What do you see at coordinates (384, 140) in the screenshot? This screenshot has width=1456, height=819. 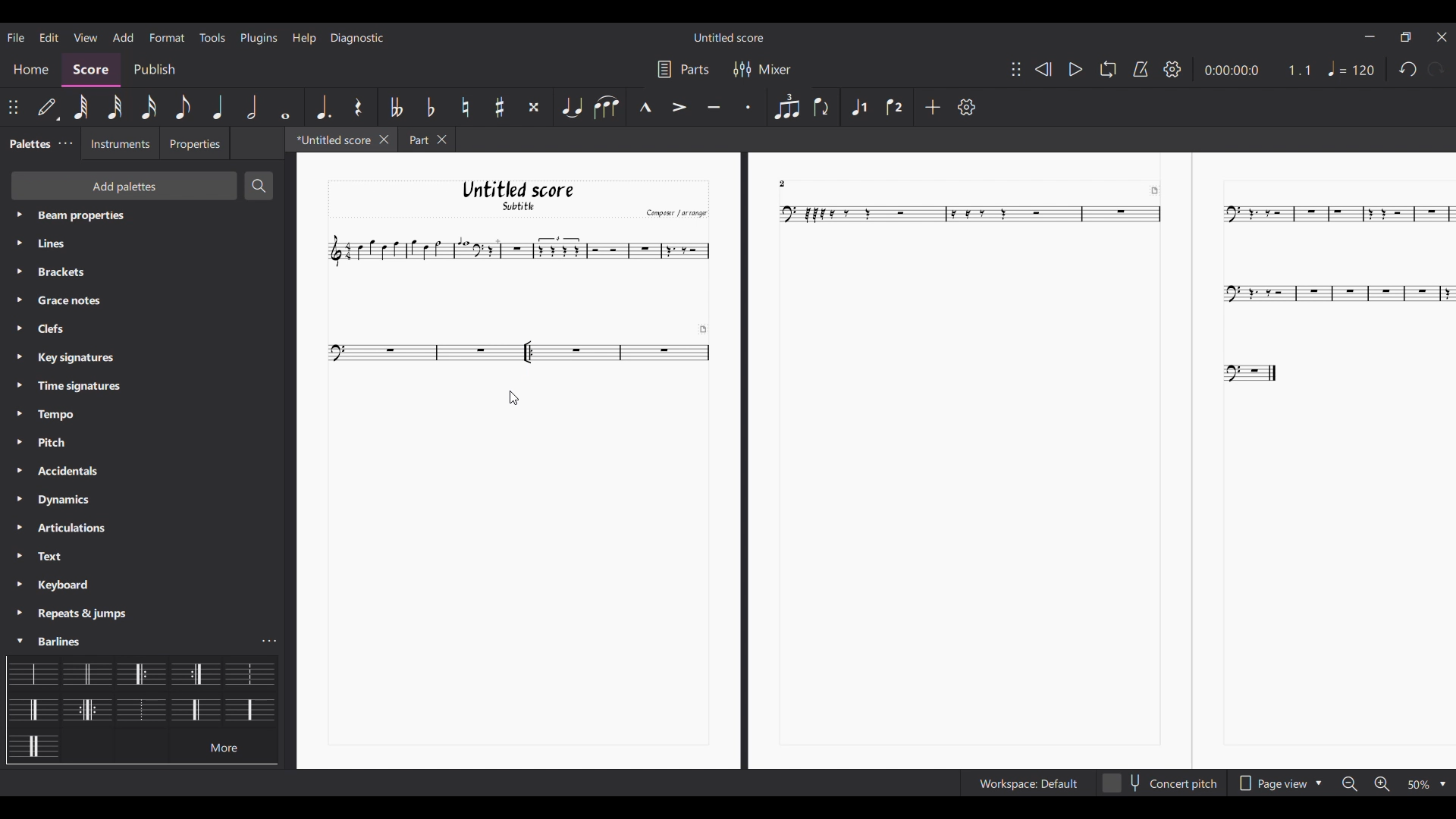 I see `Close current tab` at bounding box center [384, 140].